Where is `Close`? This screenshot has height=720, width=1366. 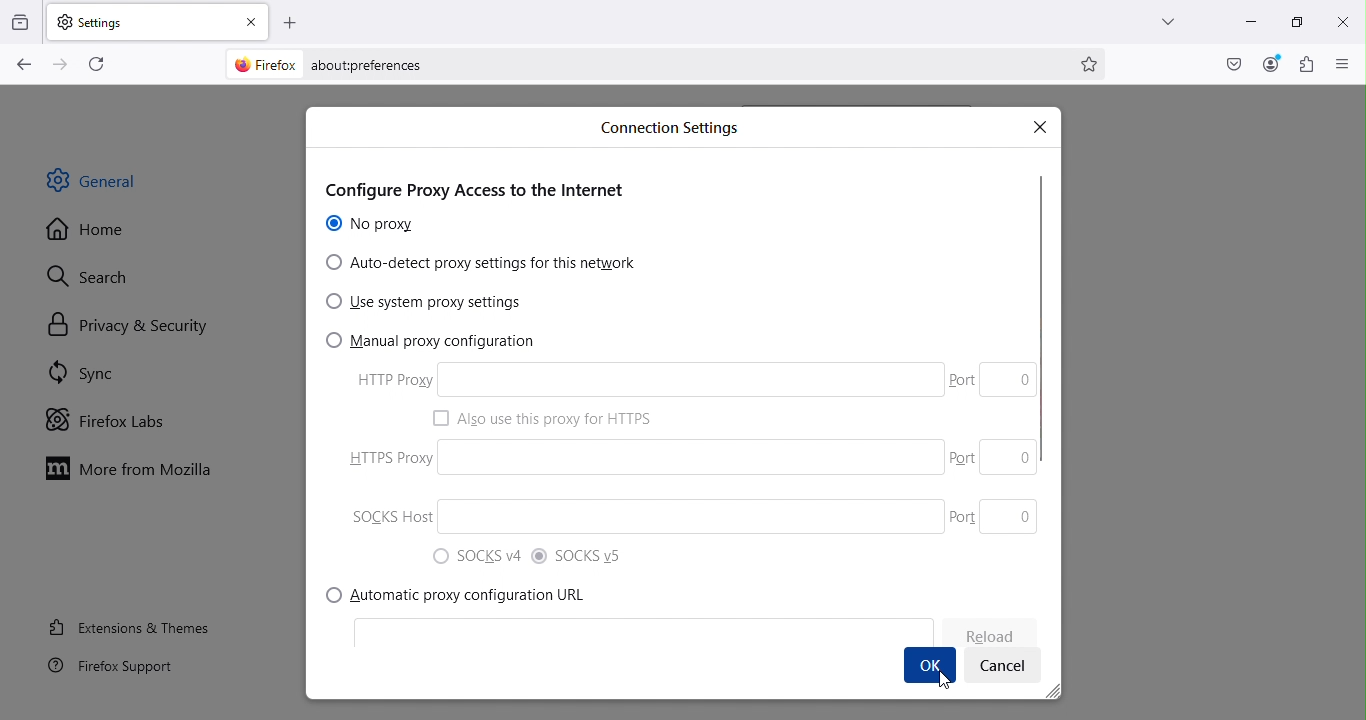
Close is located at coordinates (1041, 124).